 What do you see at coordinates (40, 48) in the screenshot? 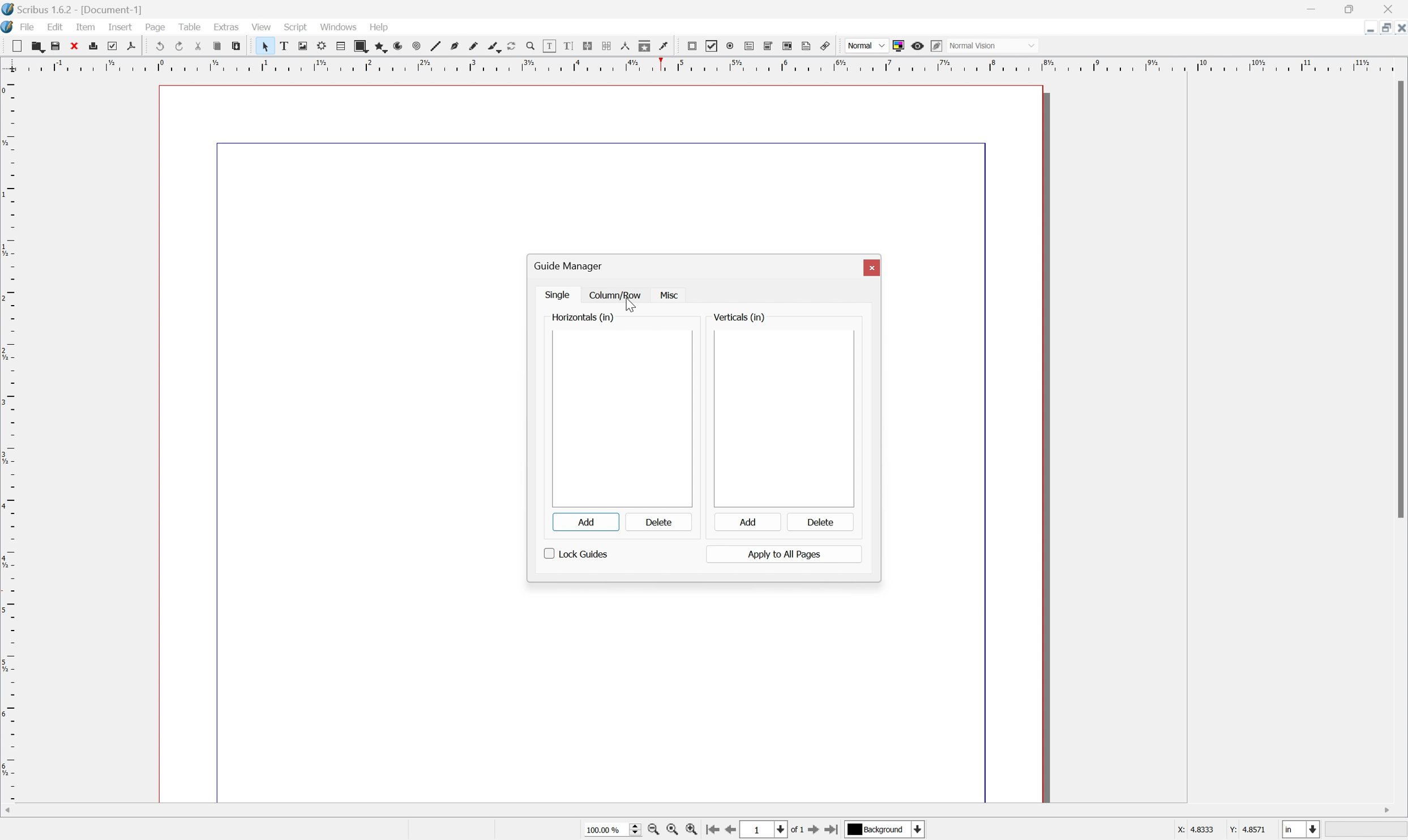
I see `open` at bounding box center [40, 48].